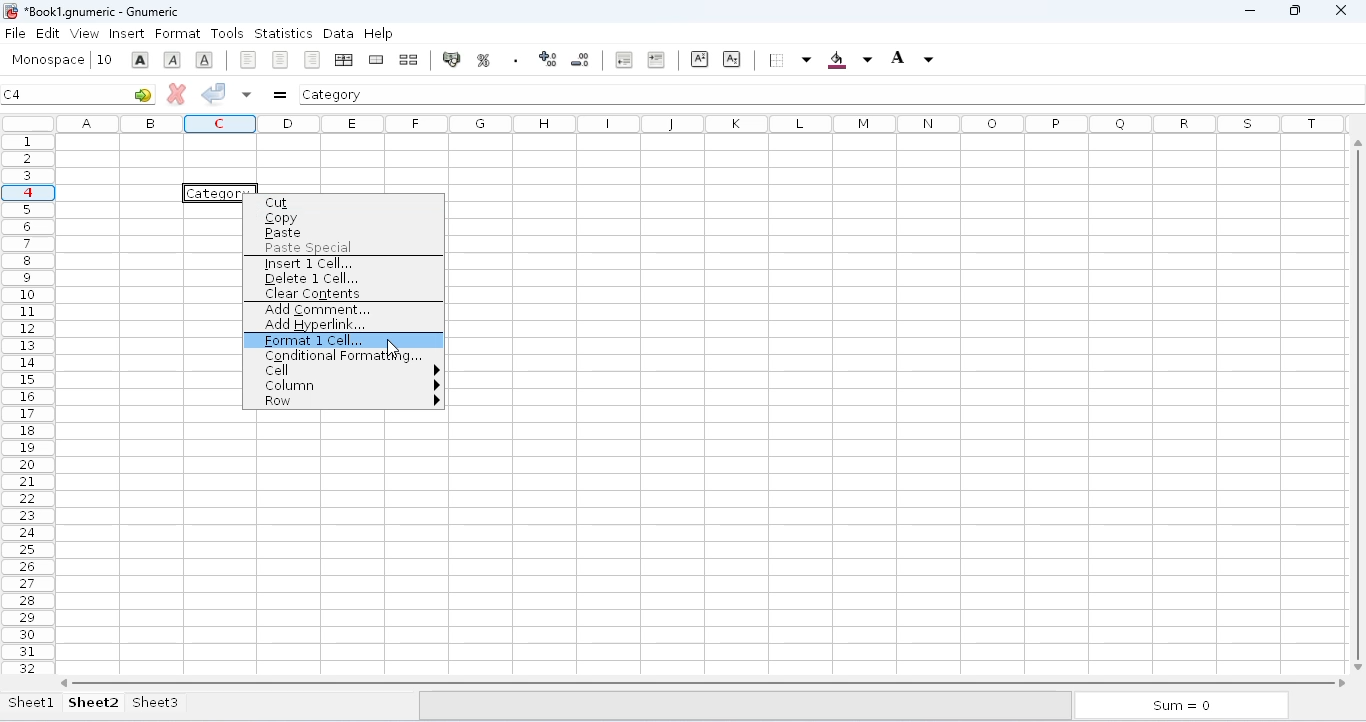 The image size is (1366, 722). I want to click on background, so click(849, 60).